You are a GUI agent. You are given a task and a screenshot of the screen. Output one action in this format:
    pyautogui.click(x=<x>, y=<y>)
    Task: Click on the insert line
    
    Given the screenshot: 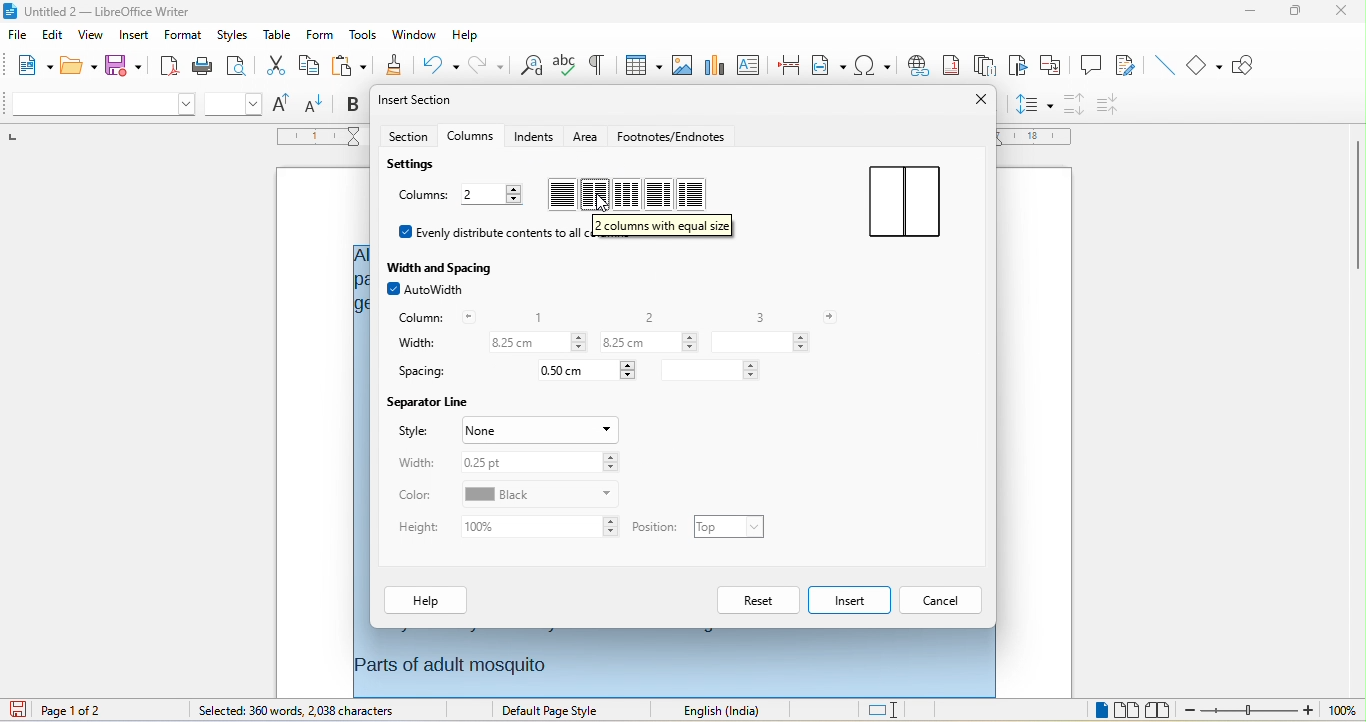 What is the action you would take?
    pyautogui.click(x=1167, y=65)
    